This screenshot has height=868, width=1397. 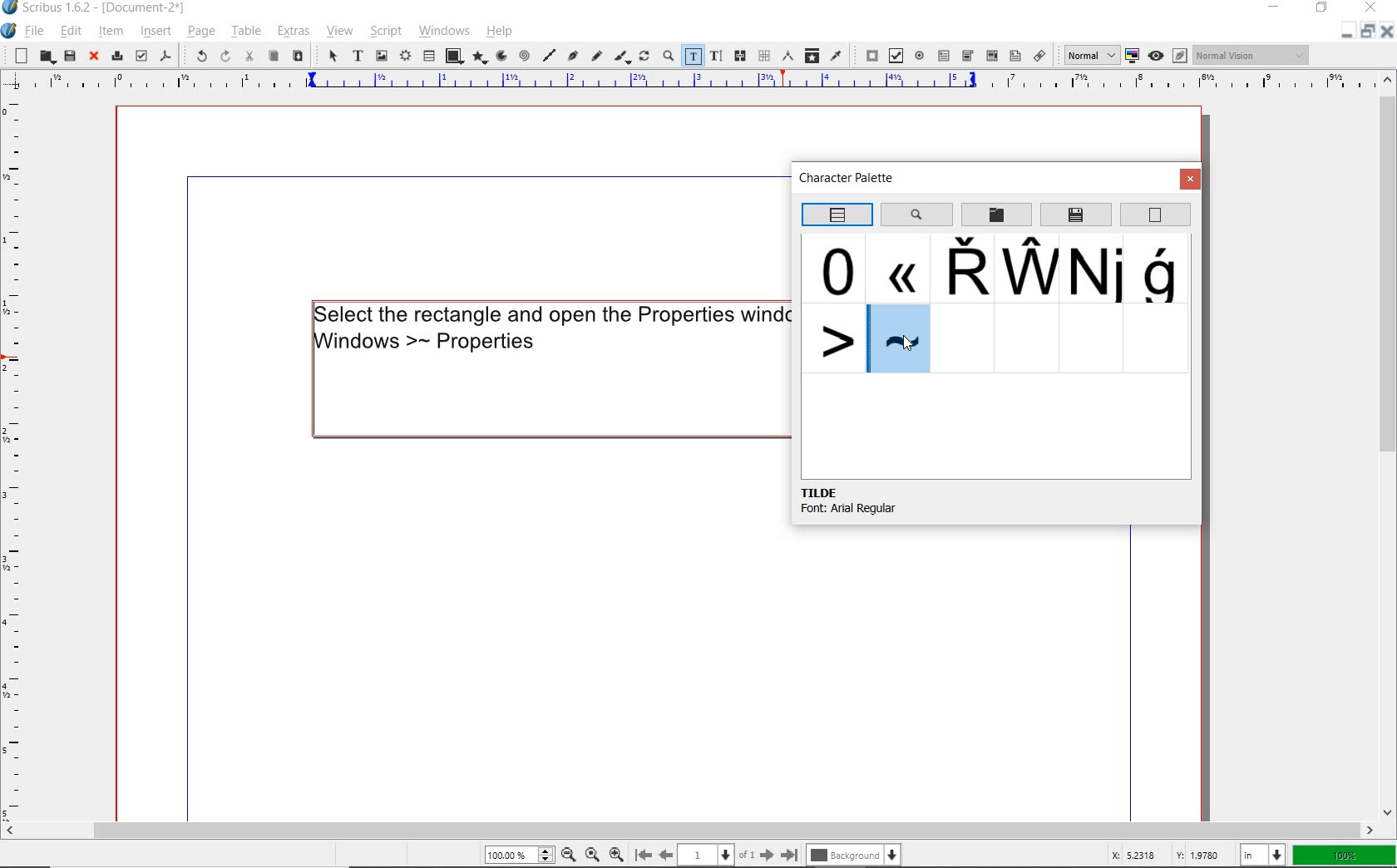 I want to click on glyphs, so click(x=1163, y=270).